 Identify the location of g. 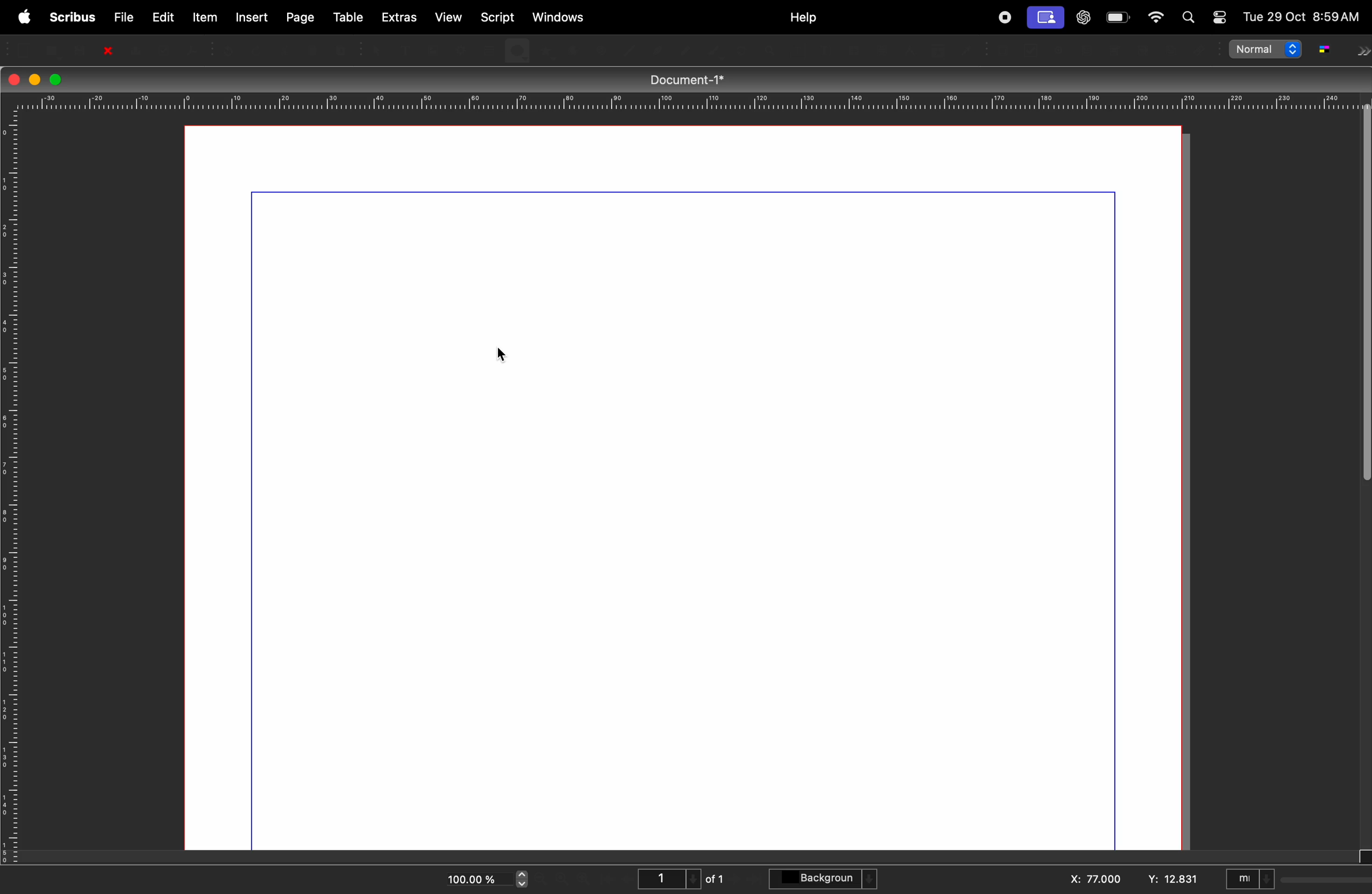
(1324, 50).